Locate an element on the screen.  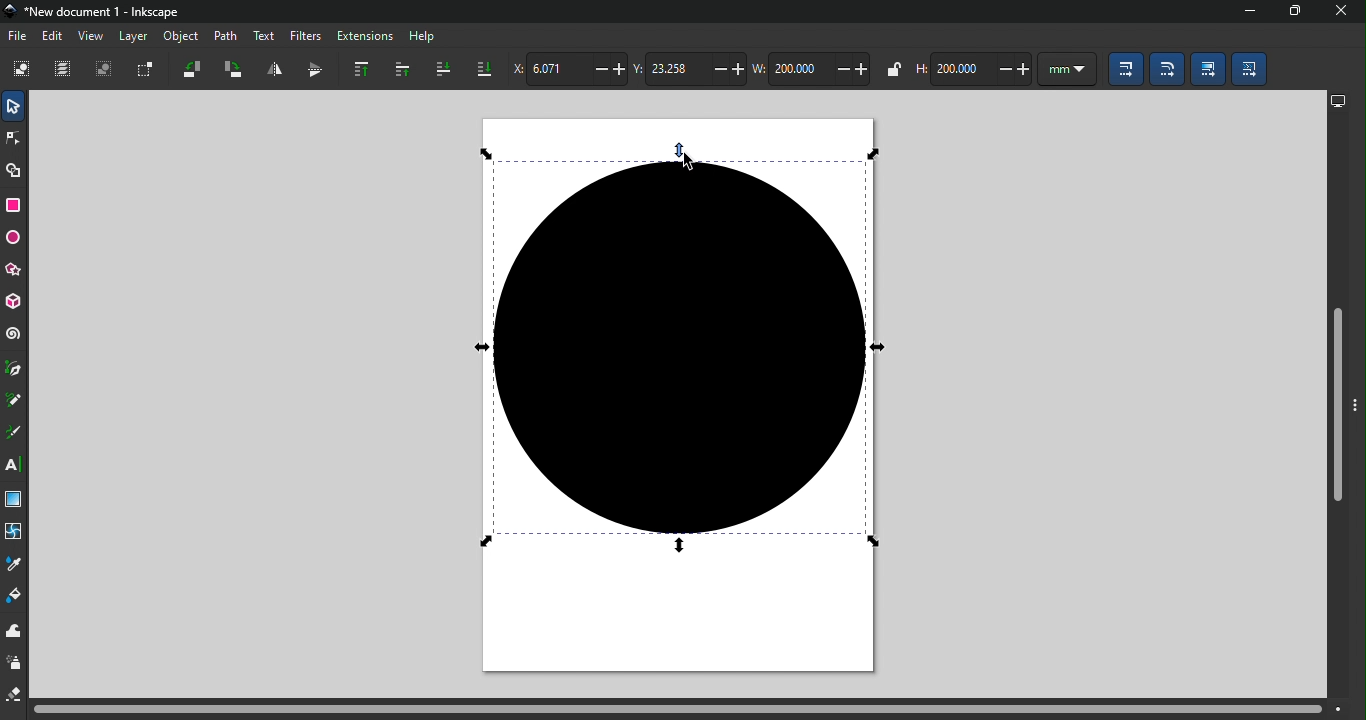
Select all in all layers is located at coordinates (62, 70).